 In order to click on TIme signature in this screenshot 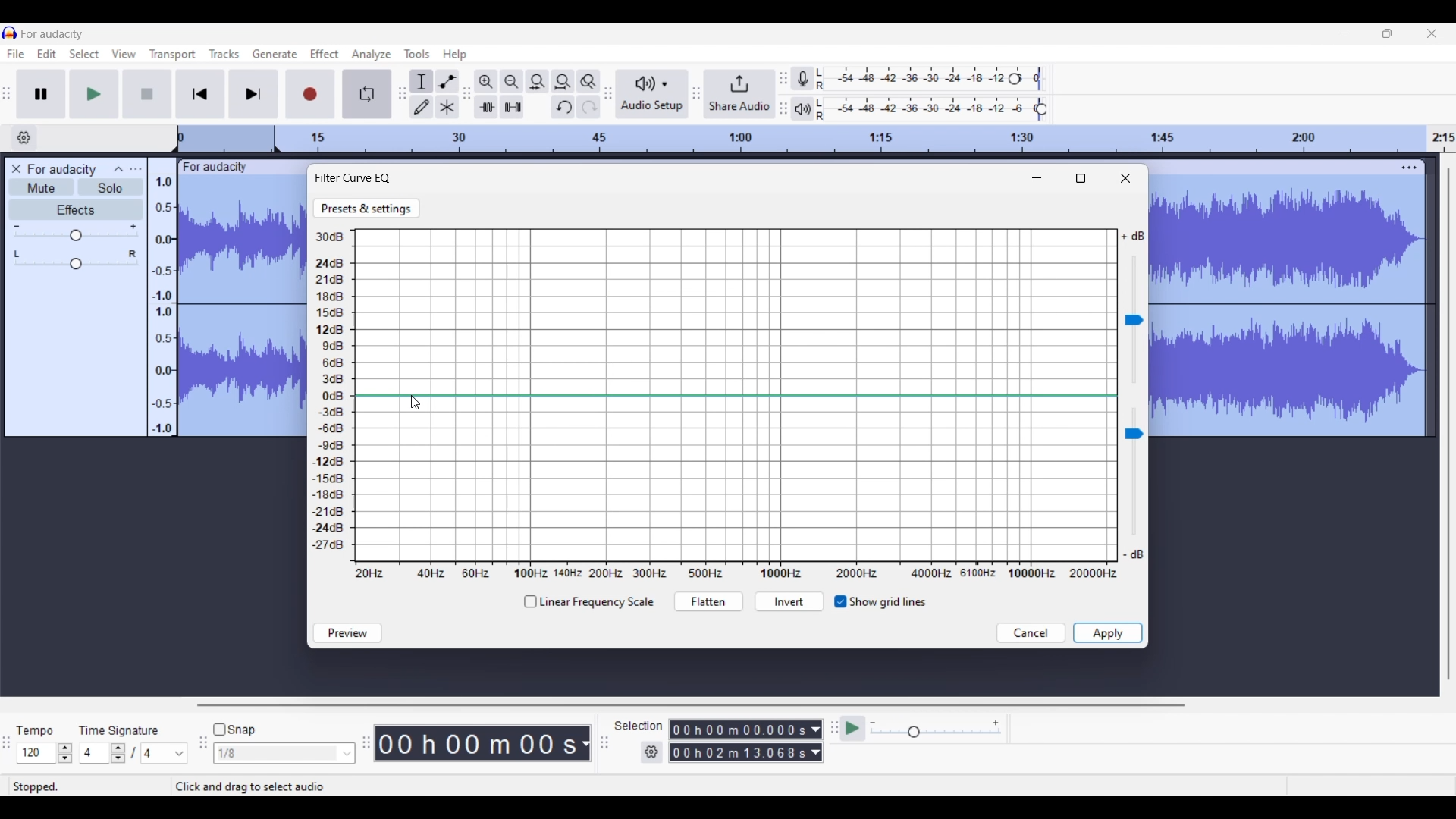, I will do `click(120, 729)`.